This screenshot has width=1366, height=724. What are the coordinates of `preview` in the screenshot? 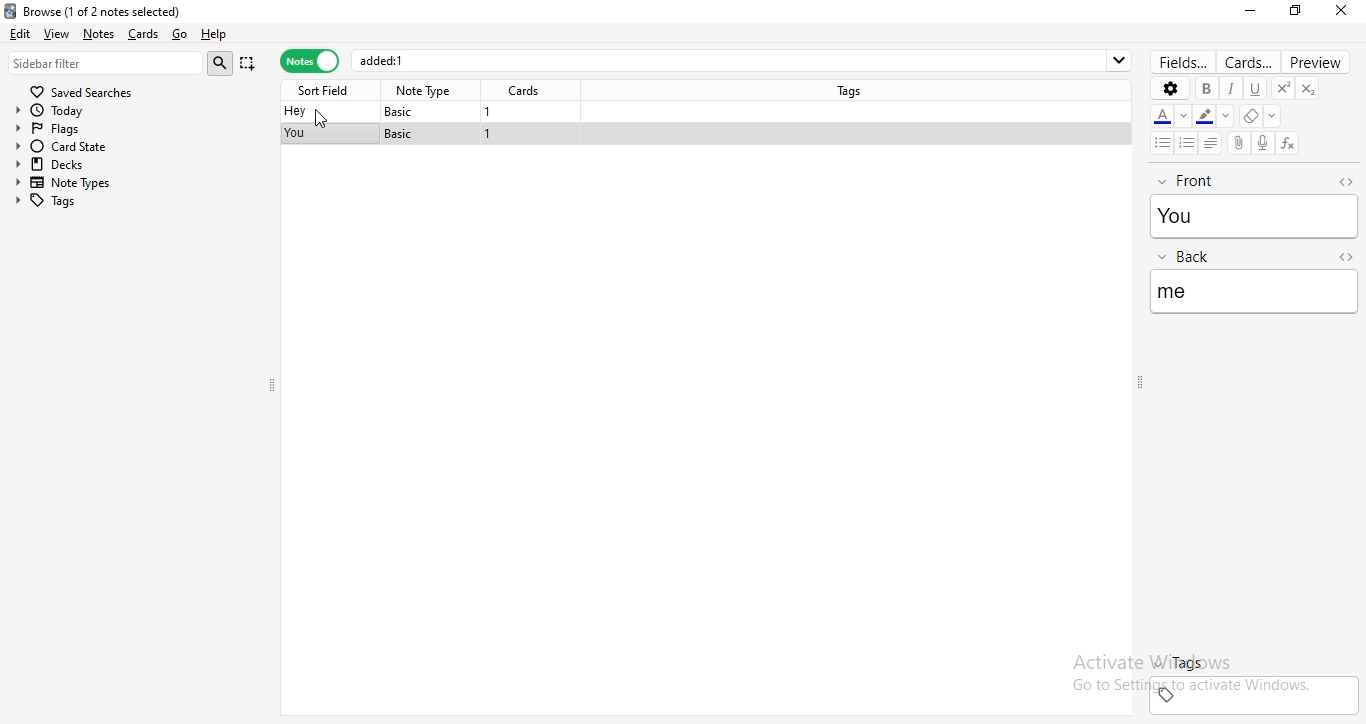 It's located at (1319, 60).